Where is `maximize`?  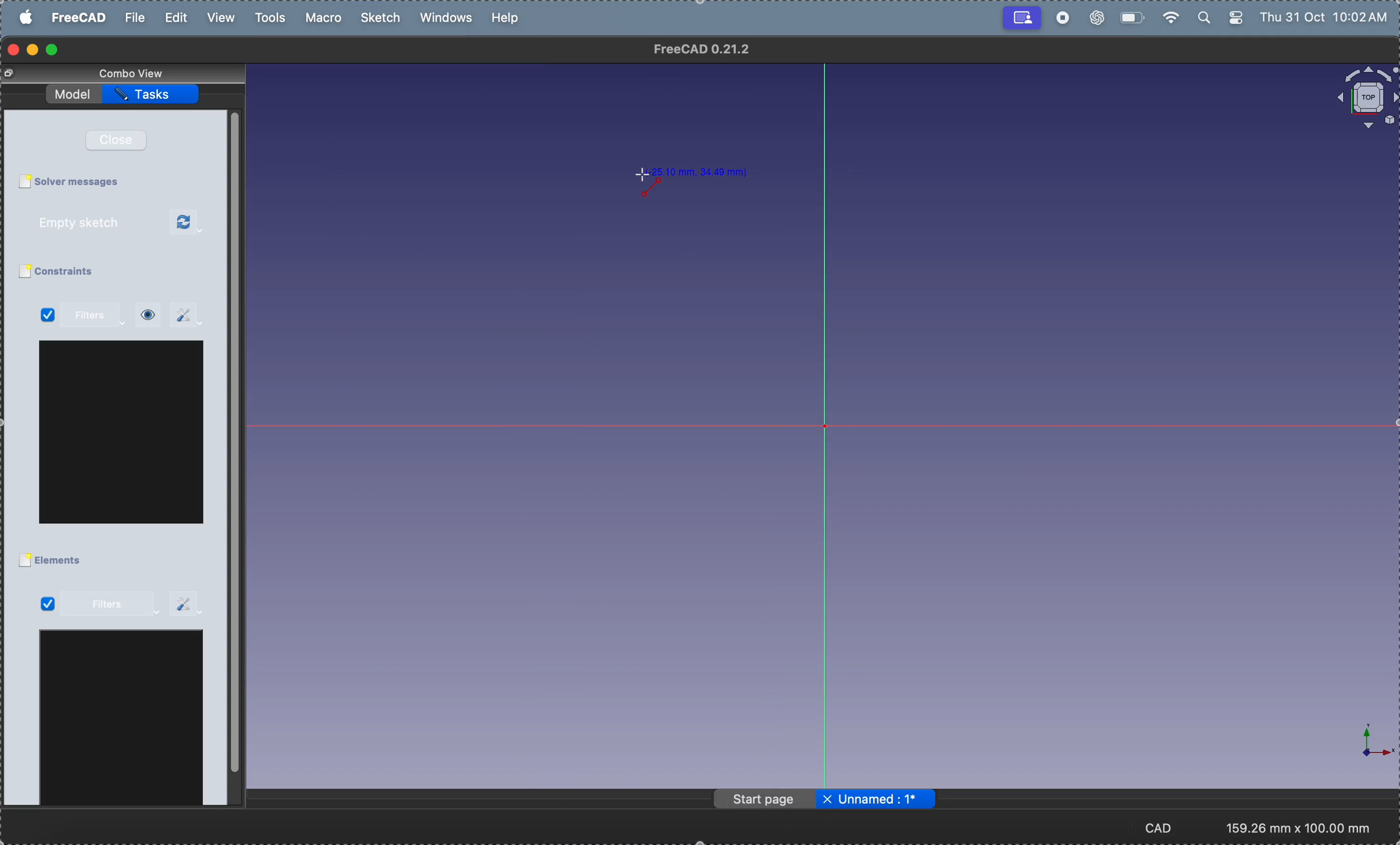
maximize is located at coordinates (53, 51).